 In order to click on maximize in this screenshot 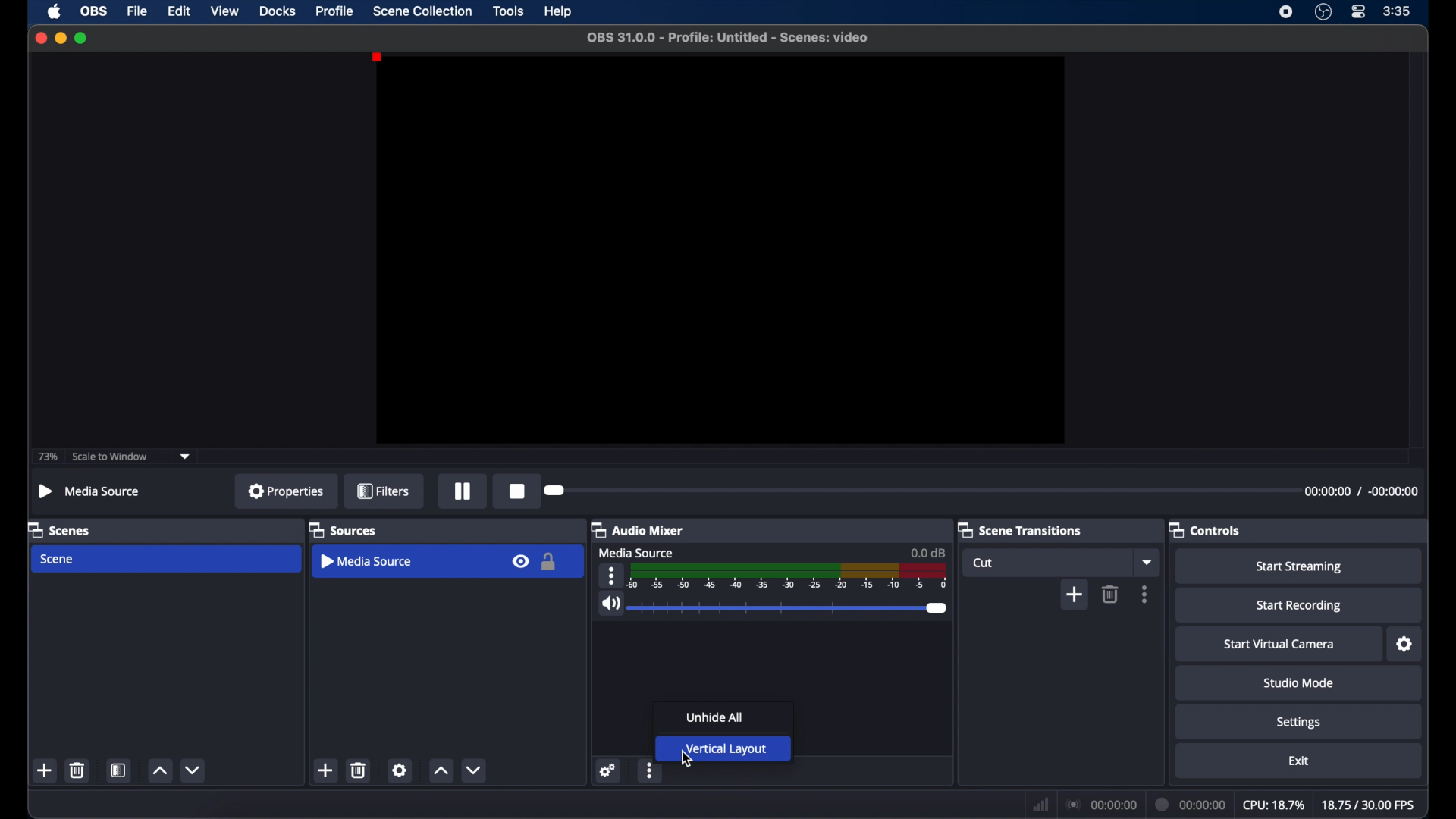, I will do `click(82, 39)`.